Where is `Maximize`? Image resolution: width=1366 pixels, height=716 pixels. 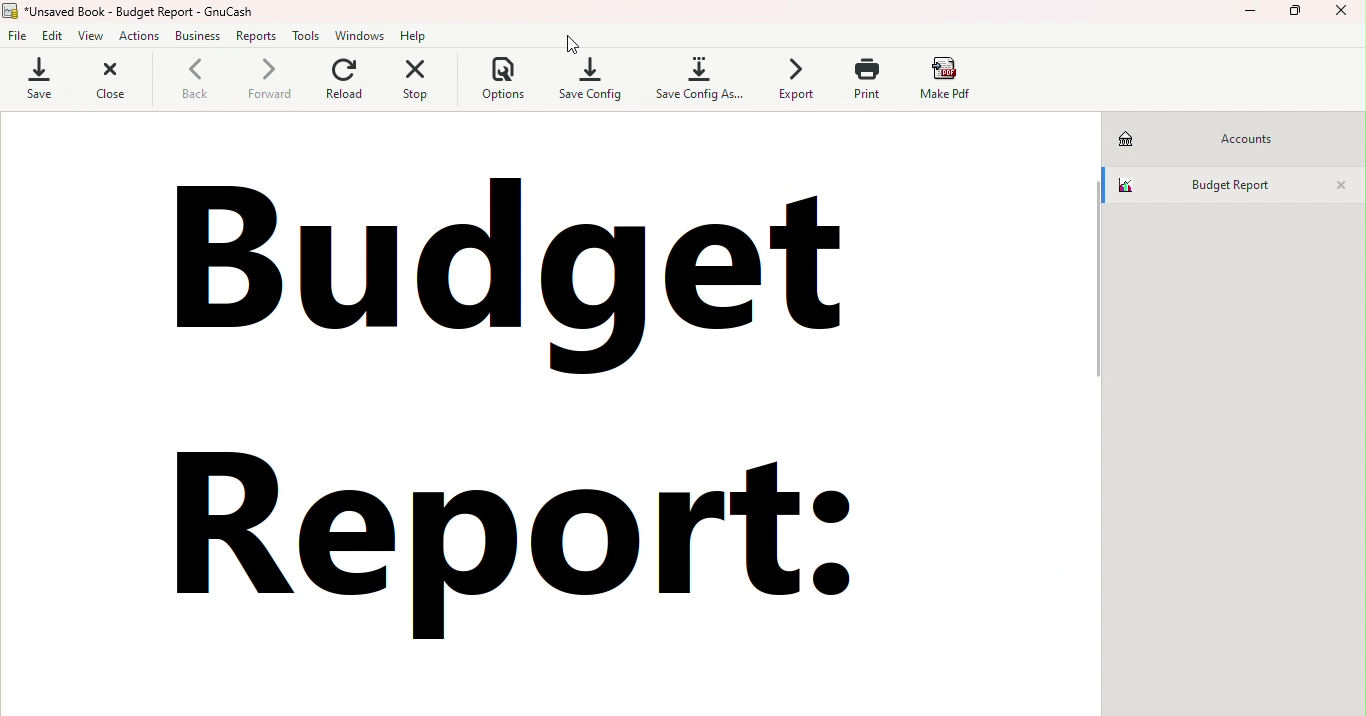
Maximize is located at coordinates (1294, 13).